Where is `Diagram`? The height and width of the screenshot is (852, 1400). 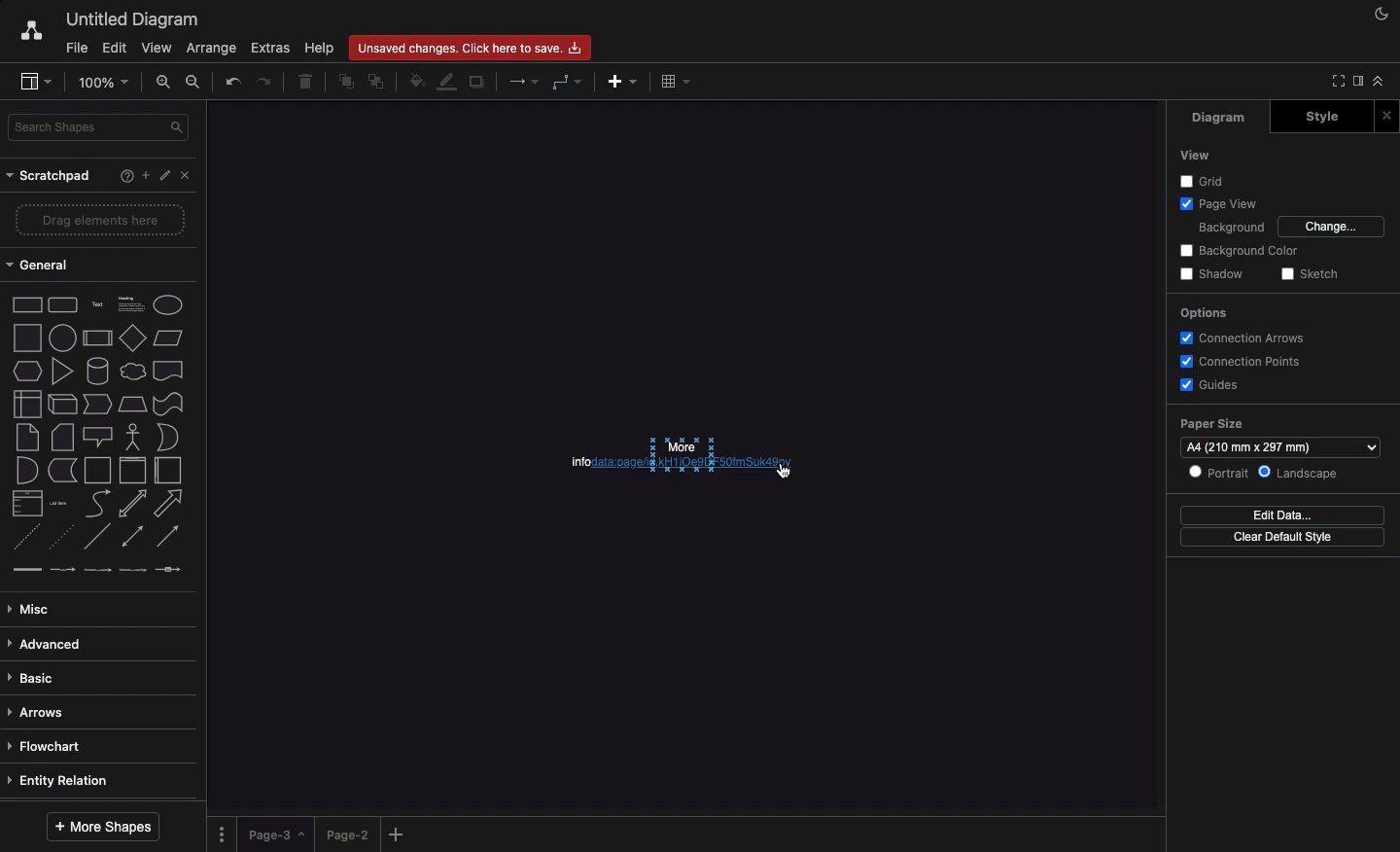 Diagram is located at coordinates (1211, 119).